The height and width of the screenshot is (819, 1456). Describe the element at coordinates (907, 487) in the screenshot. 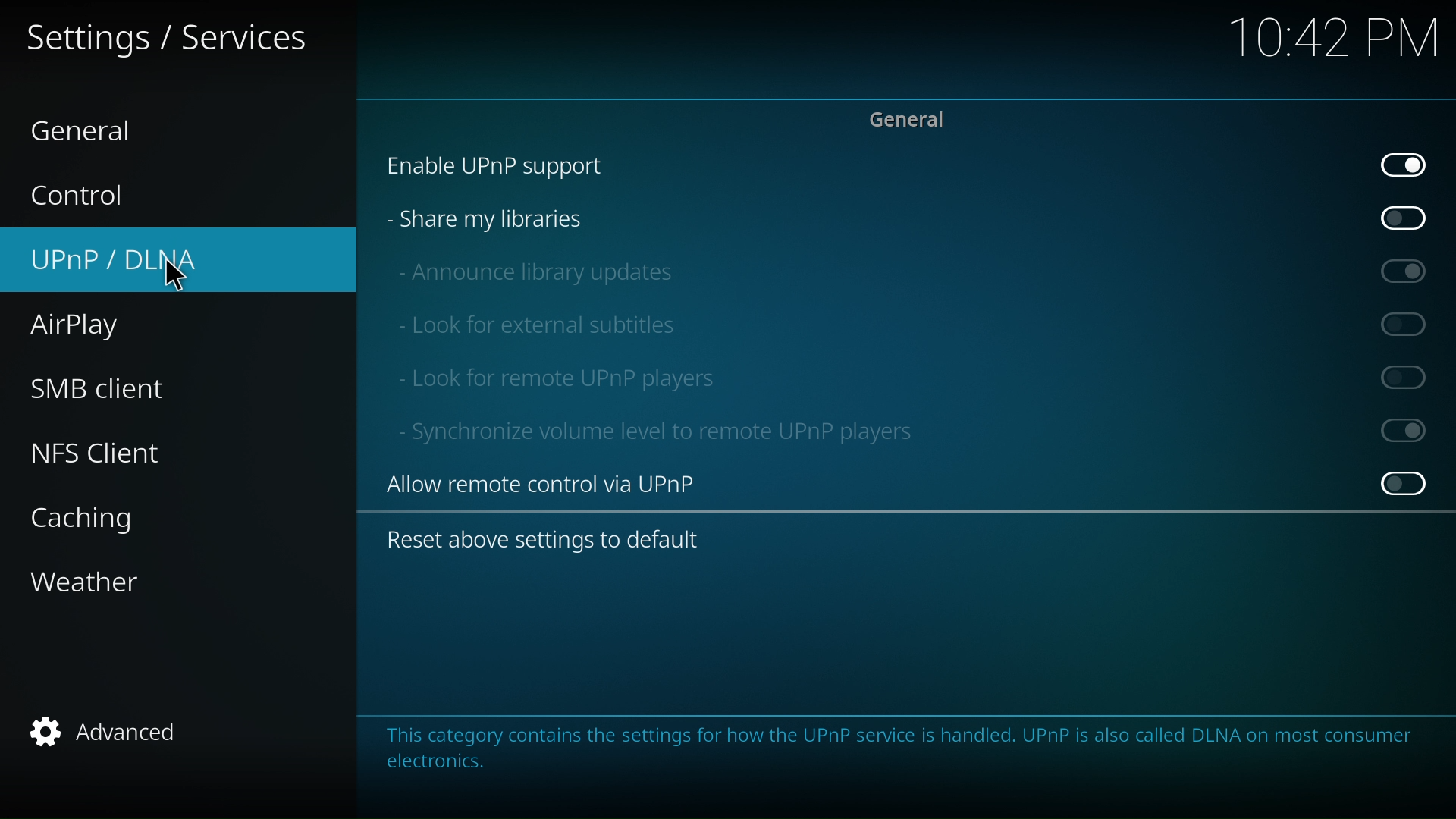

I see `Allow remote control via UPnP` at that location.